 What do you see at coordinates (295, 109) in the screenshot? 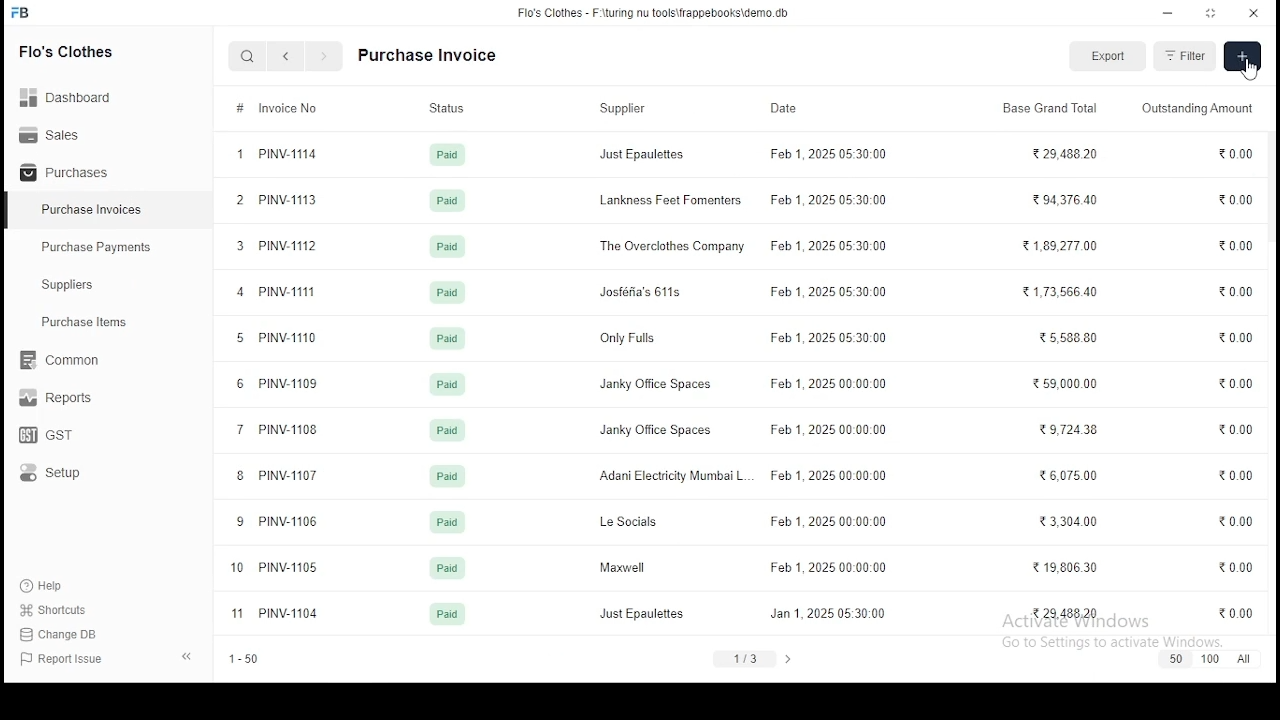
I see `invoice` at bounding box center [295, 109].